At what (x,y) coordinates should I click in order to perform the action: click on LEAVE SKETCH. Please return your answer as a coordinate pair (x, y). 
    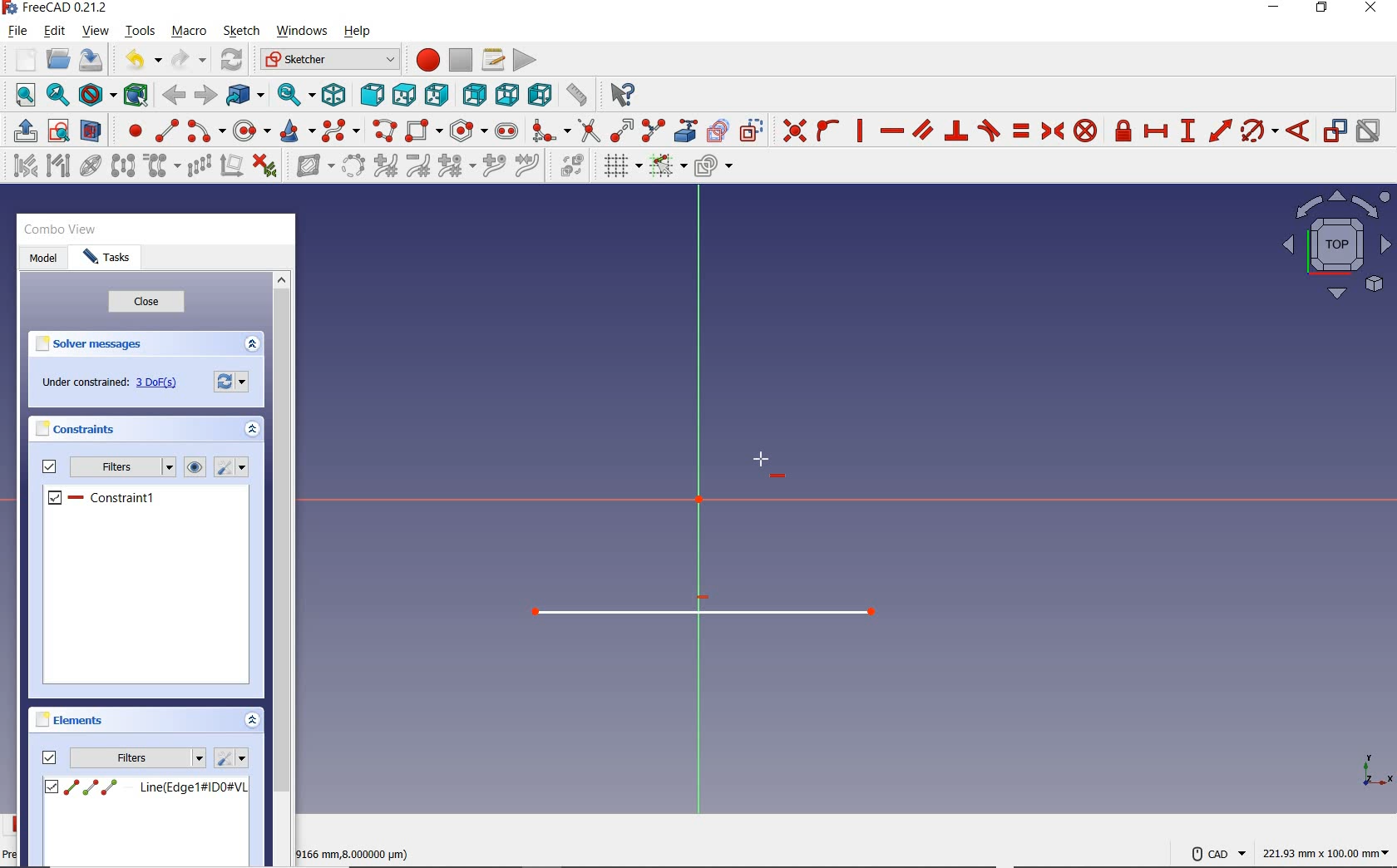
    Looking at the image, I should click on (23, 130).